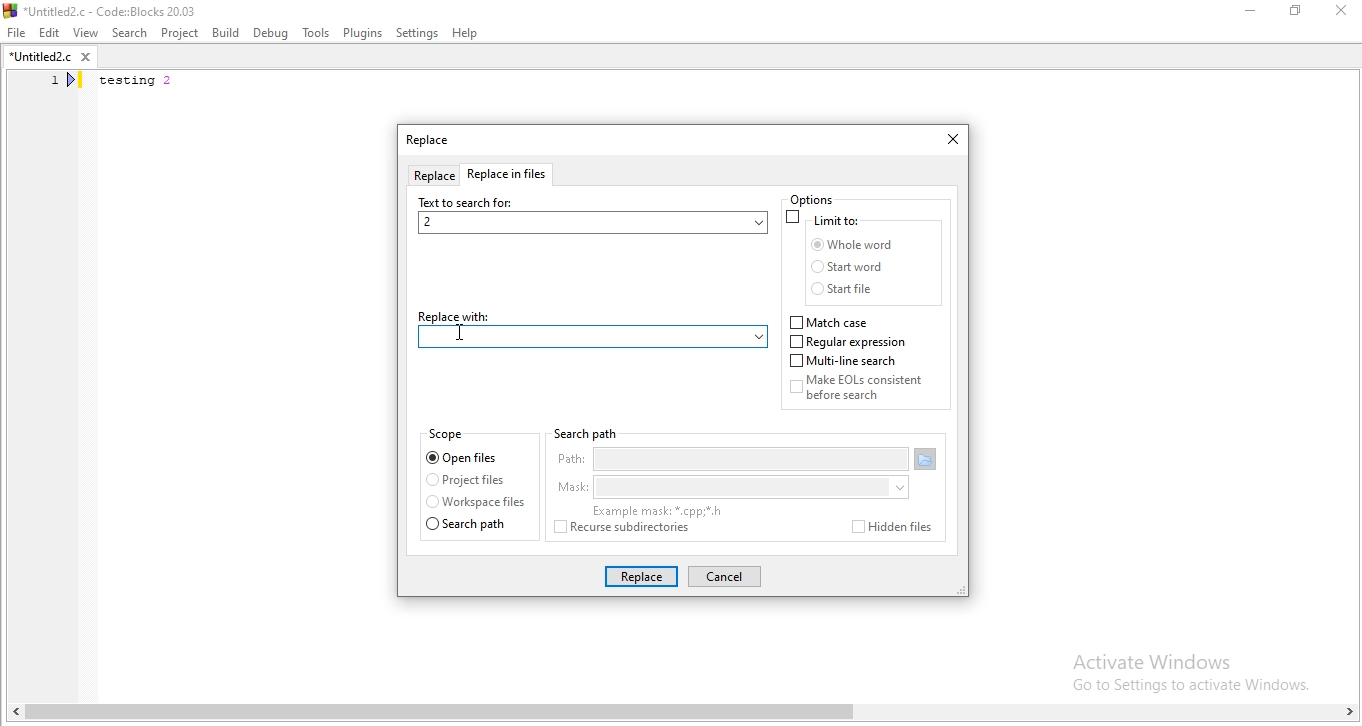 The height and width of the screenshot is (726, 1362). I want to click on line number, so click(65, 83).